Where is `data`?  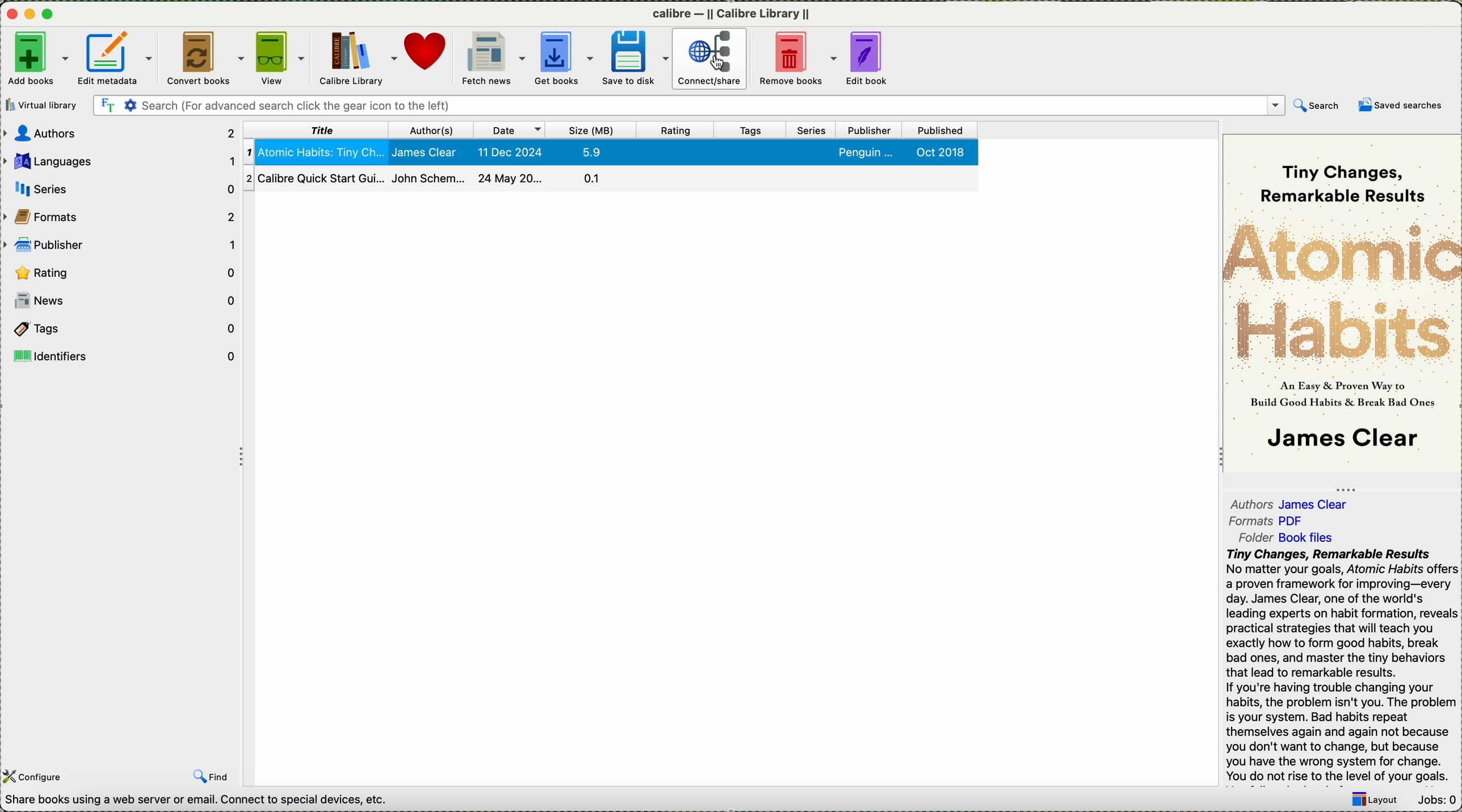
data is located at coordinates (202, 802).